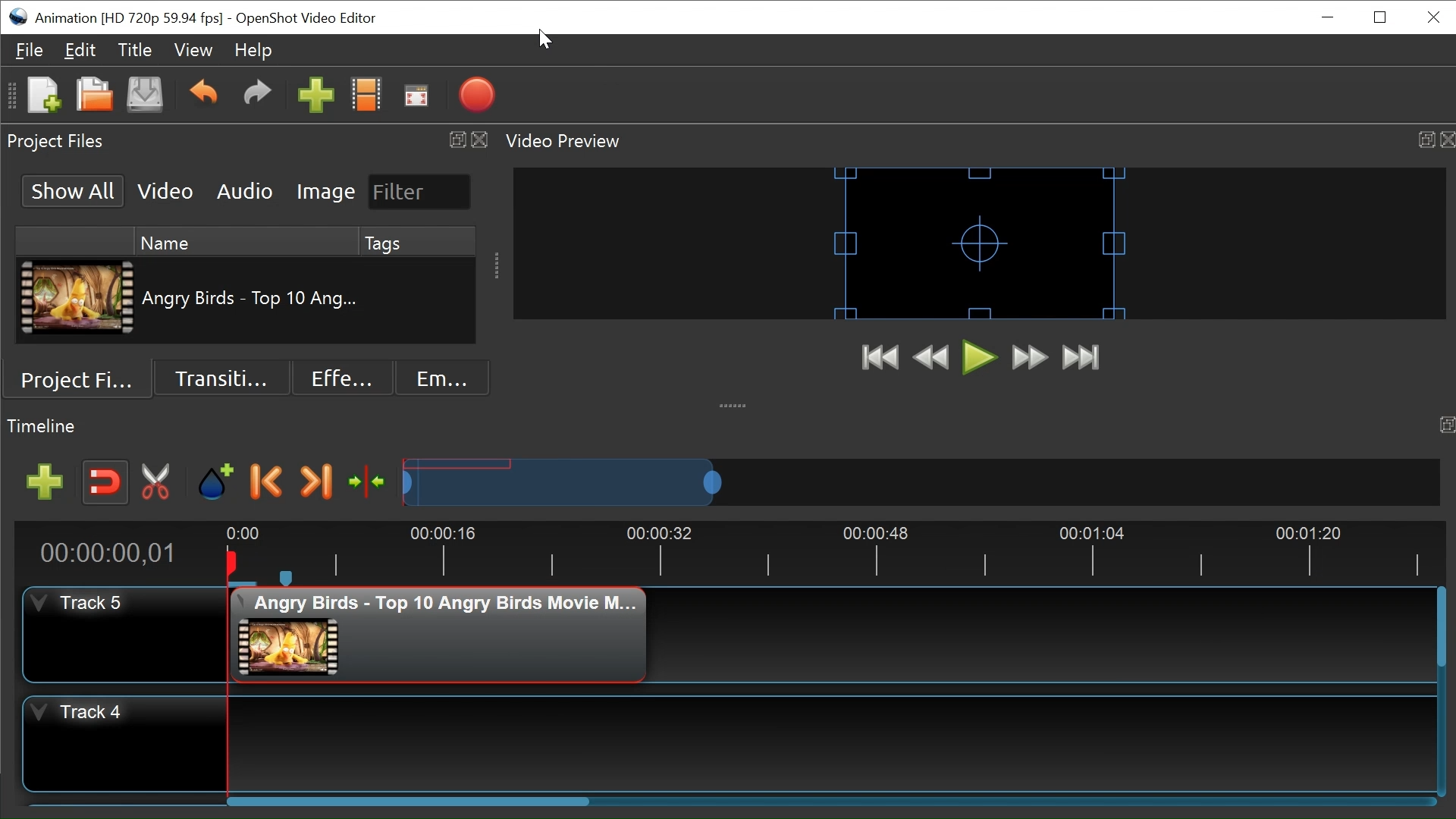 Image resolution: width=1456 pixels, height=819 pixels. What do you see at coordinates (105, 482) in the screenshot?
I see `Snap` at bounding box center [105, 482].